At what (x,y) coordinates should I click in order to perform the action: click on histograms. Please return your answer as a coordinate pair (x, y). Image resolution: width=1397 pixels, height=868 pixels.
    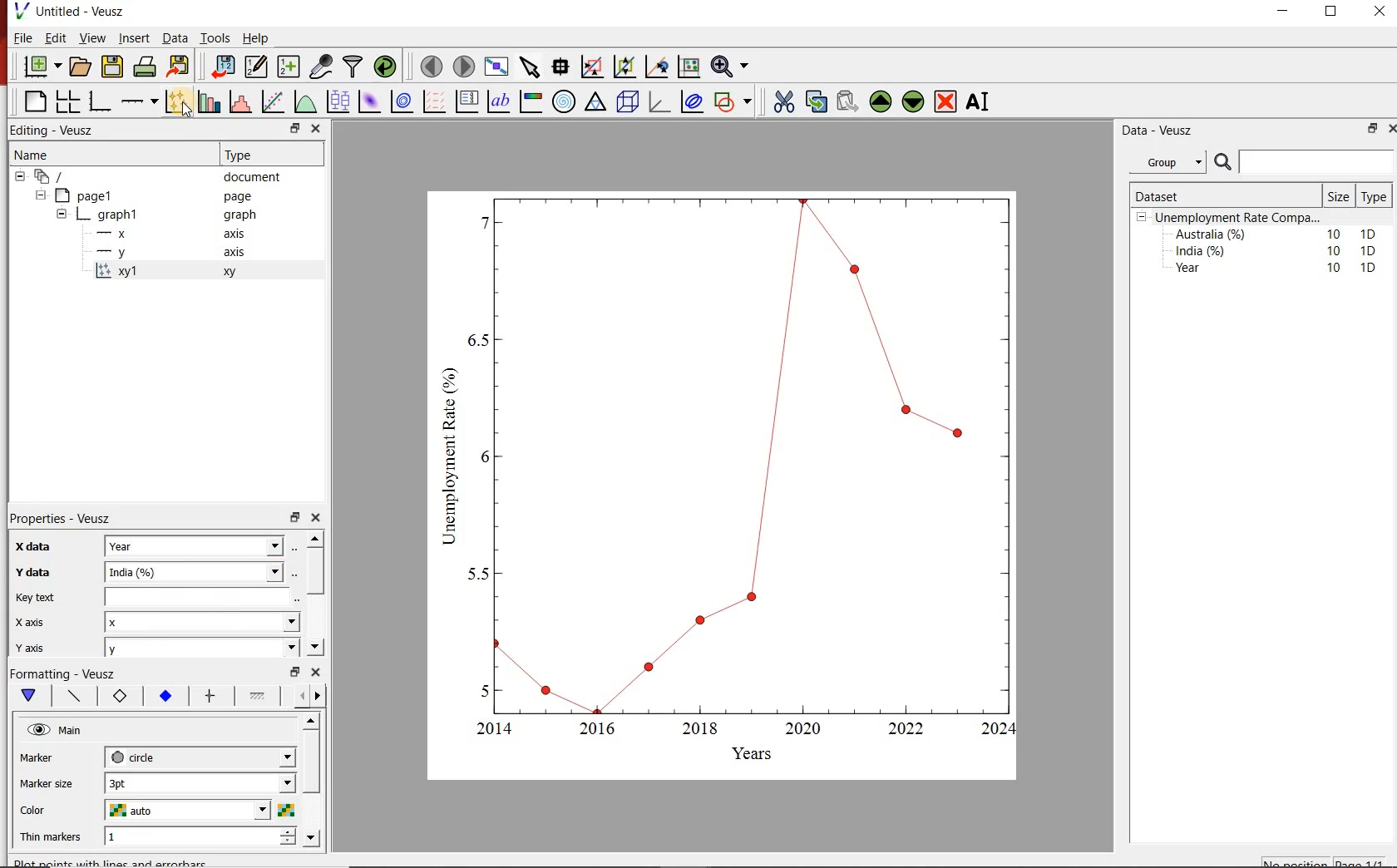
    Looking at the image, I should click on (239, 101).